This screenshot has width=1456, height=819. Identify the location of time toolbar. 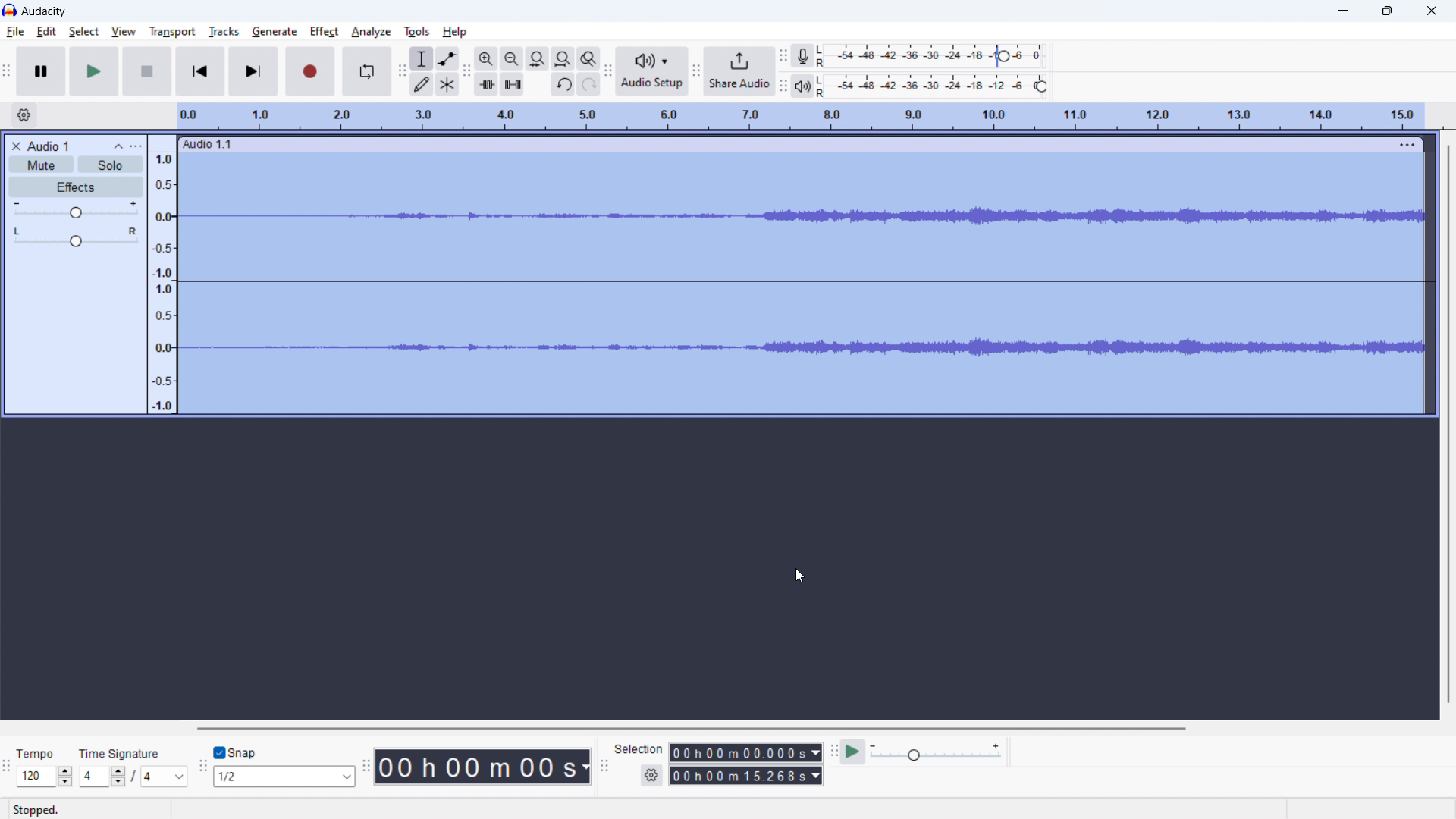
(366, 764).